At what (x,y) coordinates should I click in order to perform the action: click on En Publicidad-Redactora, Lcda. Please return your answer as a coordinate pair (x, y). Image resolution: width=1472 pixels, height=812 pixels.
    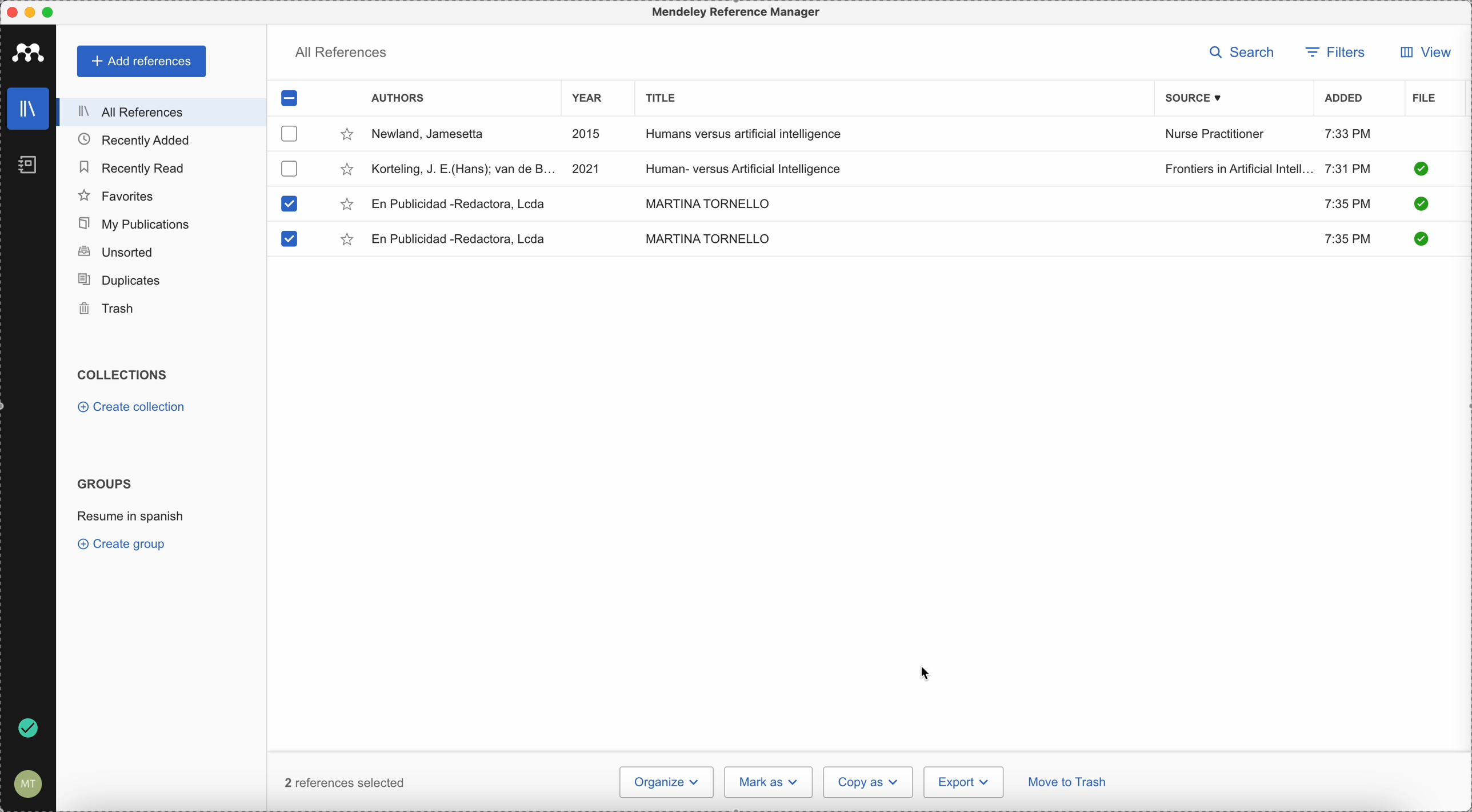
    Looking at the image, I should click on (459, 204).